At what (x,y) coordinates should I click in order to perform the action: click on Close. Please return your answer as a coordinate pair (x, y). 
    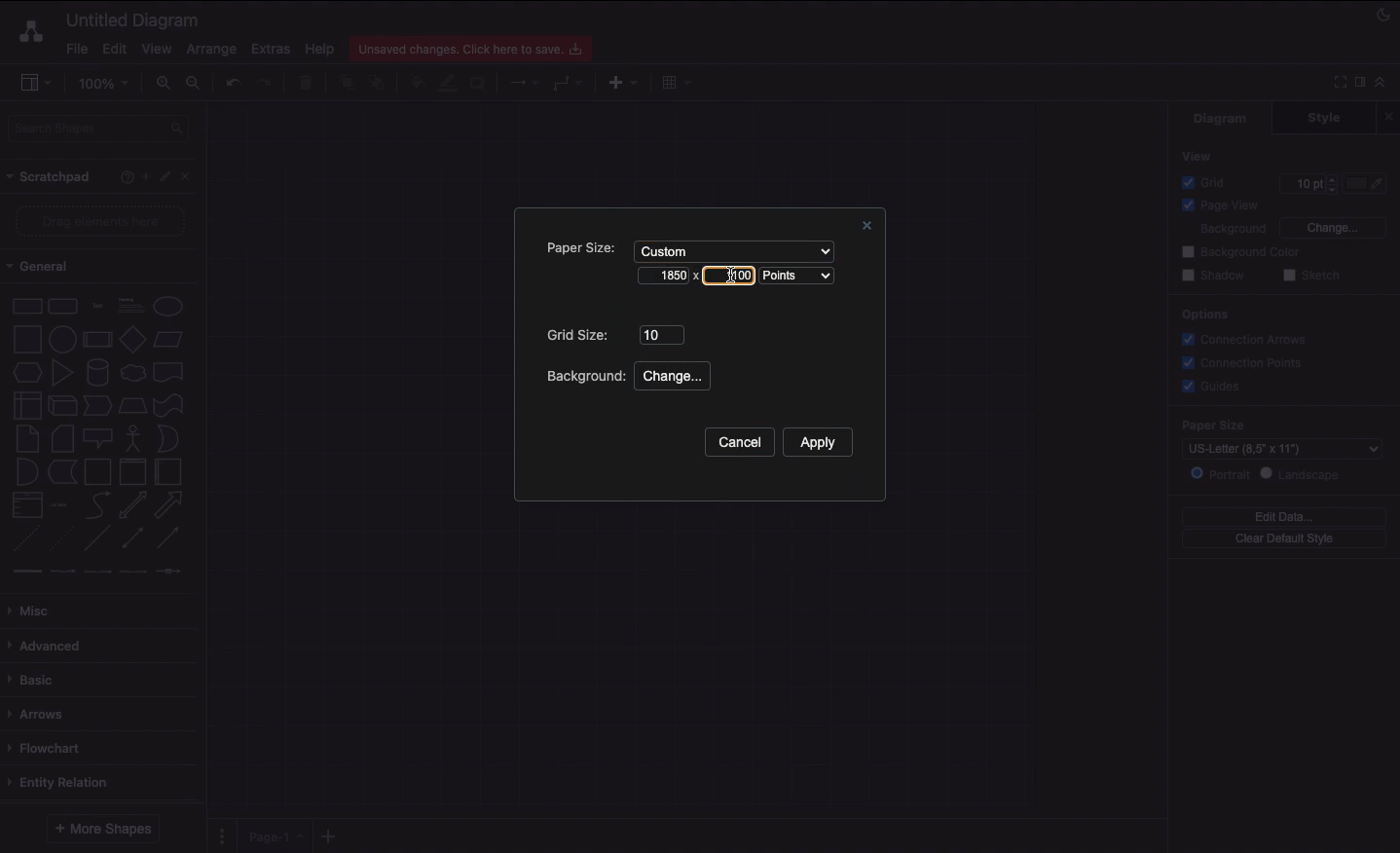
    Looking at the image, I should click on (191, 175).